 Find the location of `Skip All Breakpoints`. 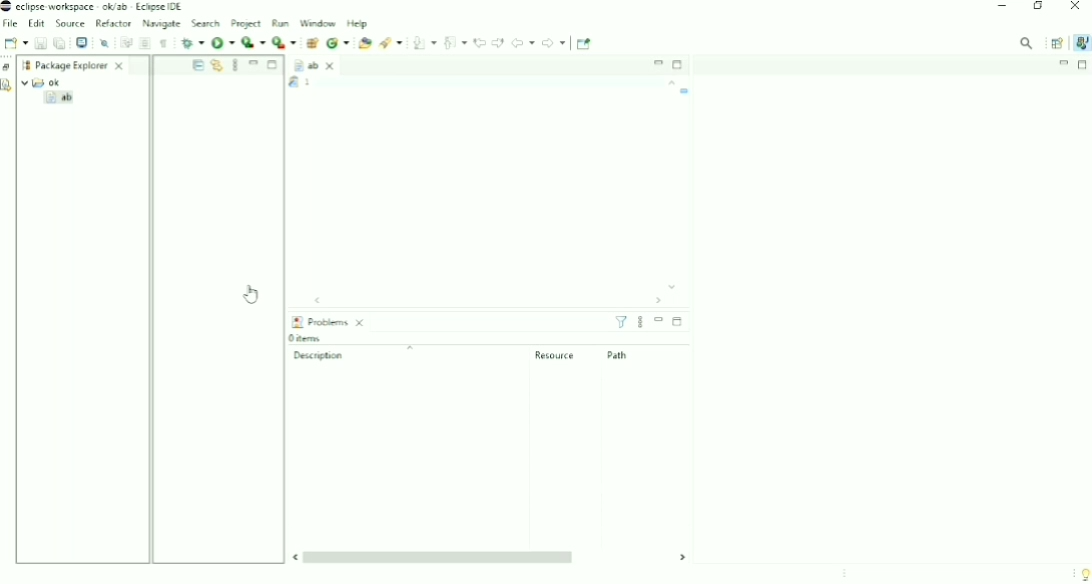

Skip All Breakpoints is located at coordinates (104, 42).